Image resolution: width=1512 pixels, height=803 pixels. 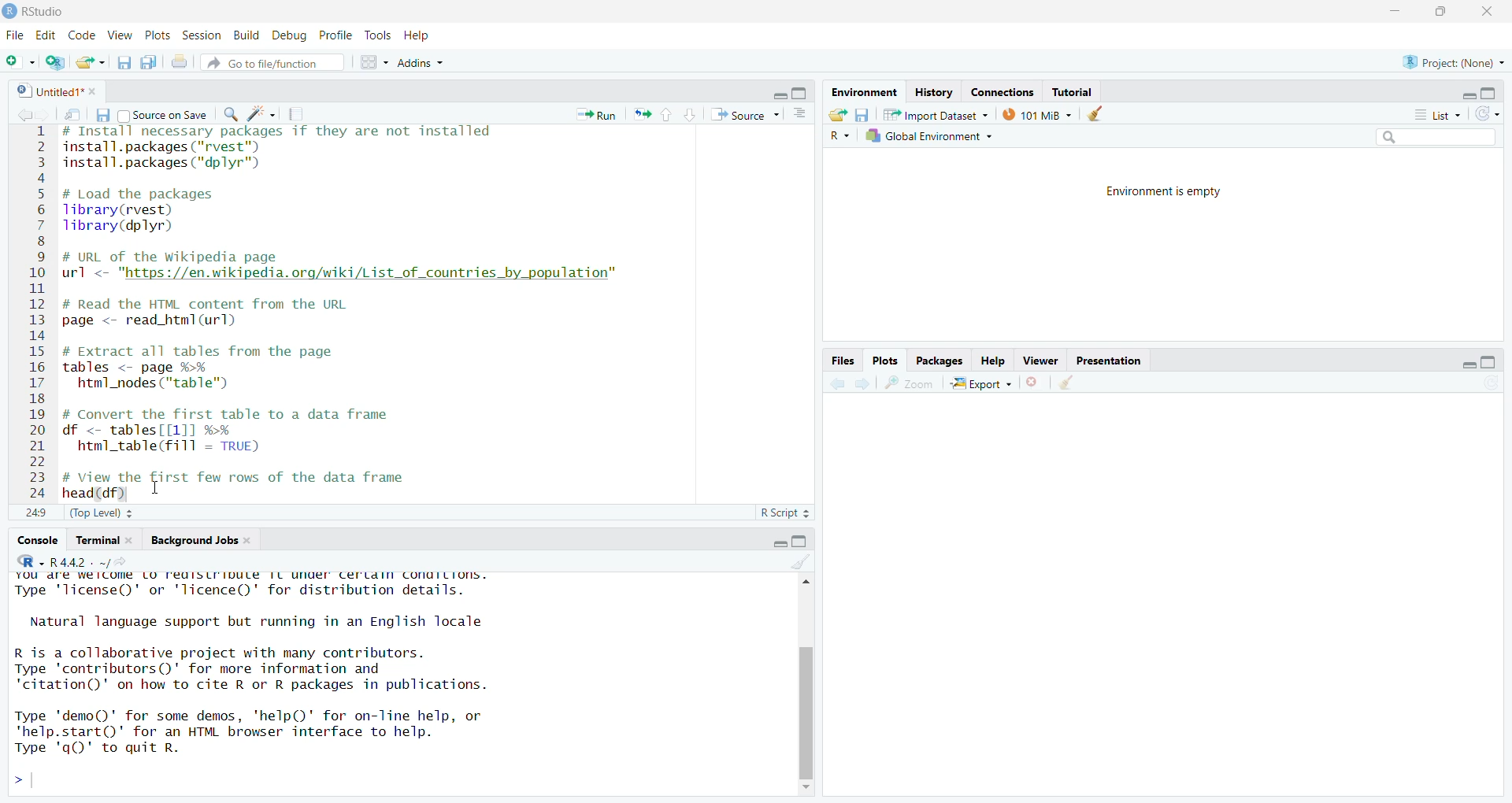 What do you see at coordinates (46, 90) in the screenshot?
I see `Untitled file` at bounding box center [46, 90].